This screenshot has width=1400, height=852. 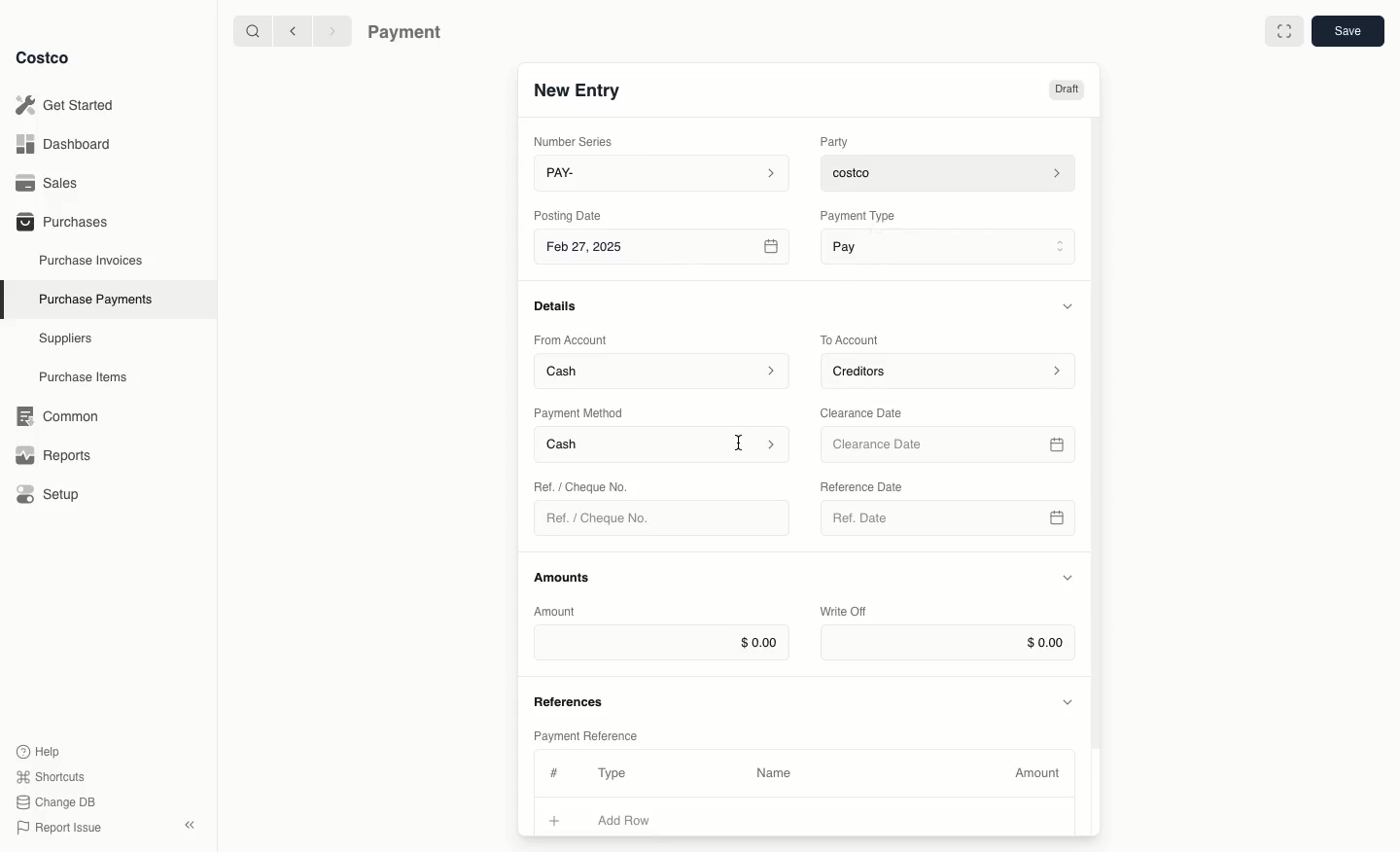 I want to click on To Account, so click(x=852, y=339).